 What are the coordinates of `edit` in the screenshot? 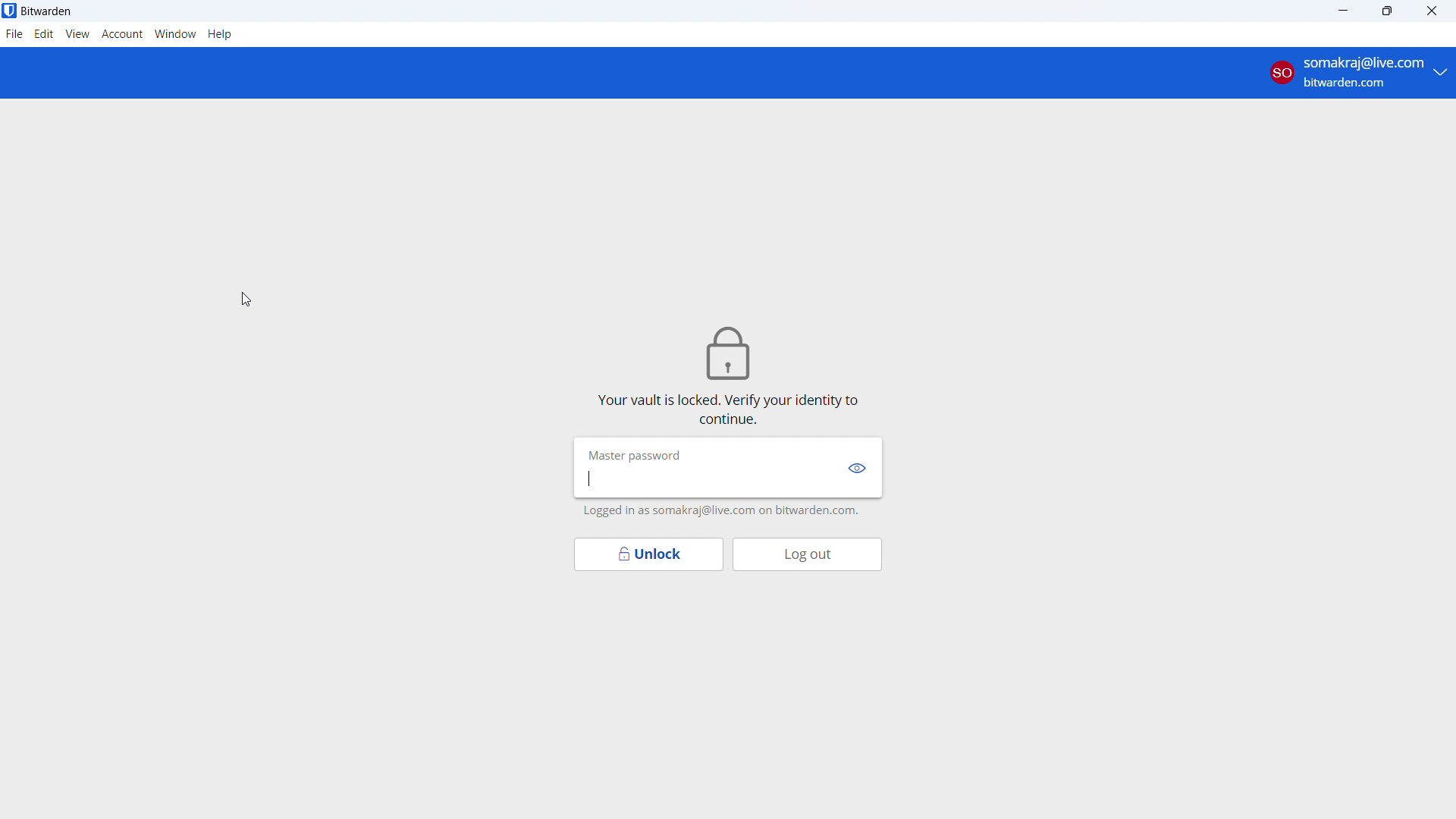 It's located at (44, 34).